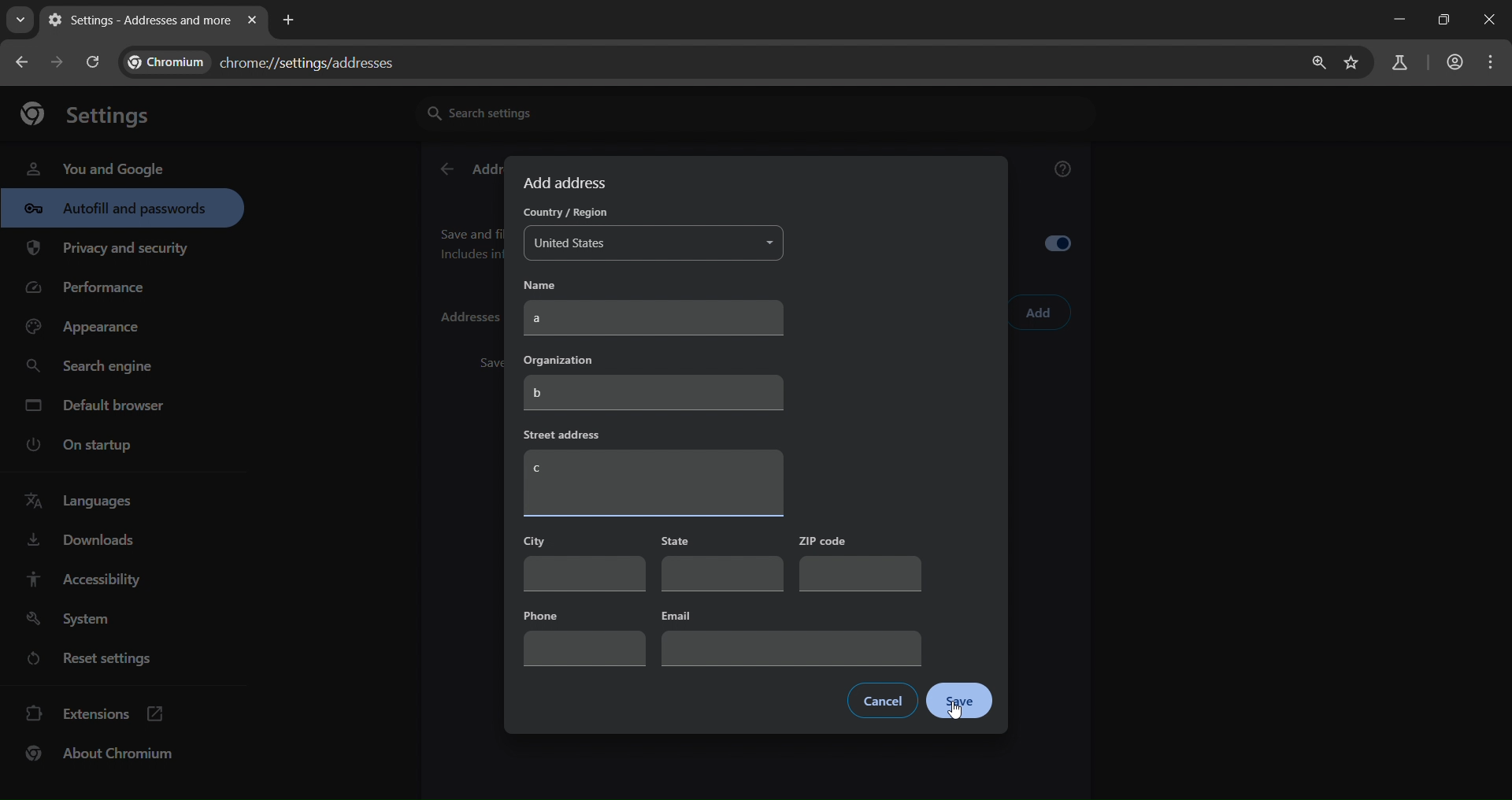  What do you see at coordinates (1395, 20) in the screenshot?
I see `minimize` at bounding box center [1395, 20].